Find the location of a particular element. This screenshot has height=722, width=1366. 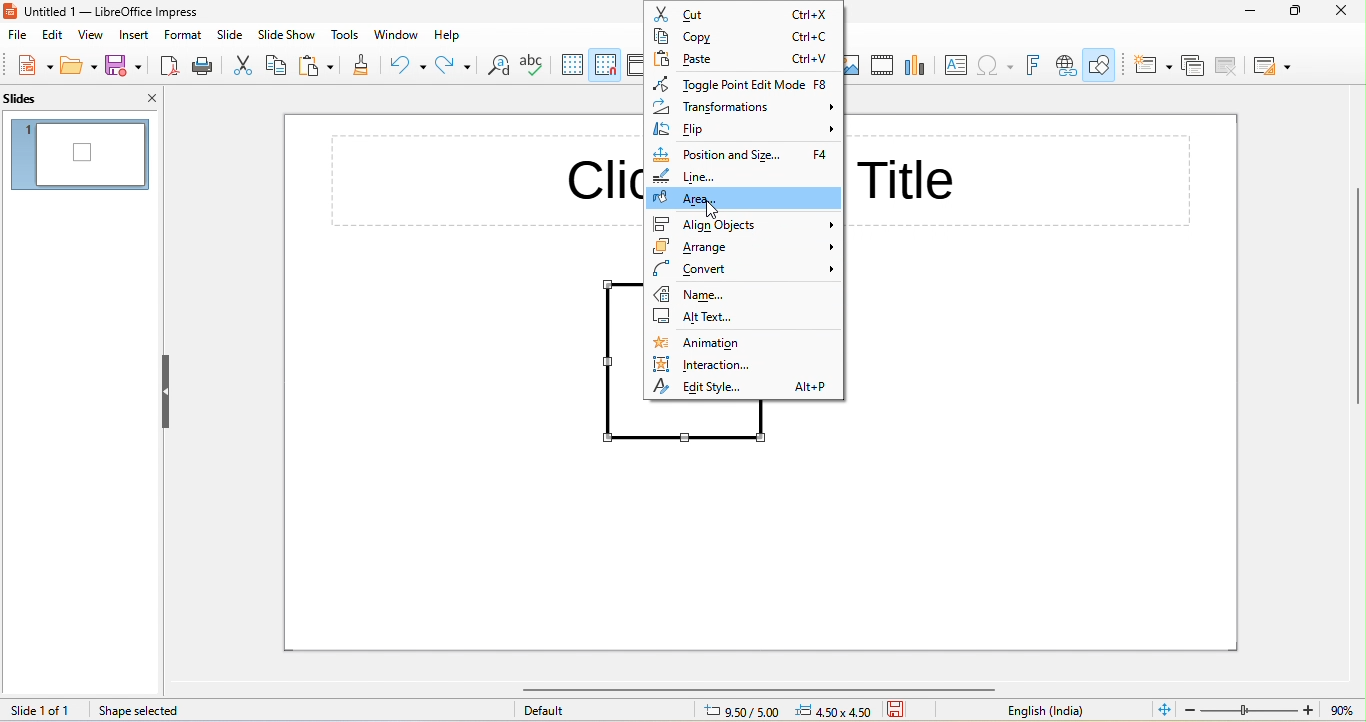

f8 is located at coordinates (827, 84).